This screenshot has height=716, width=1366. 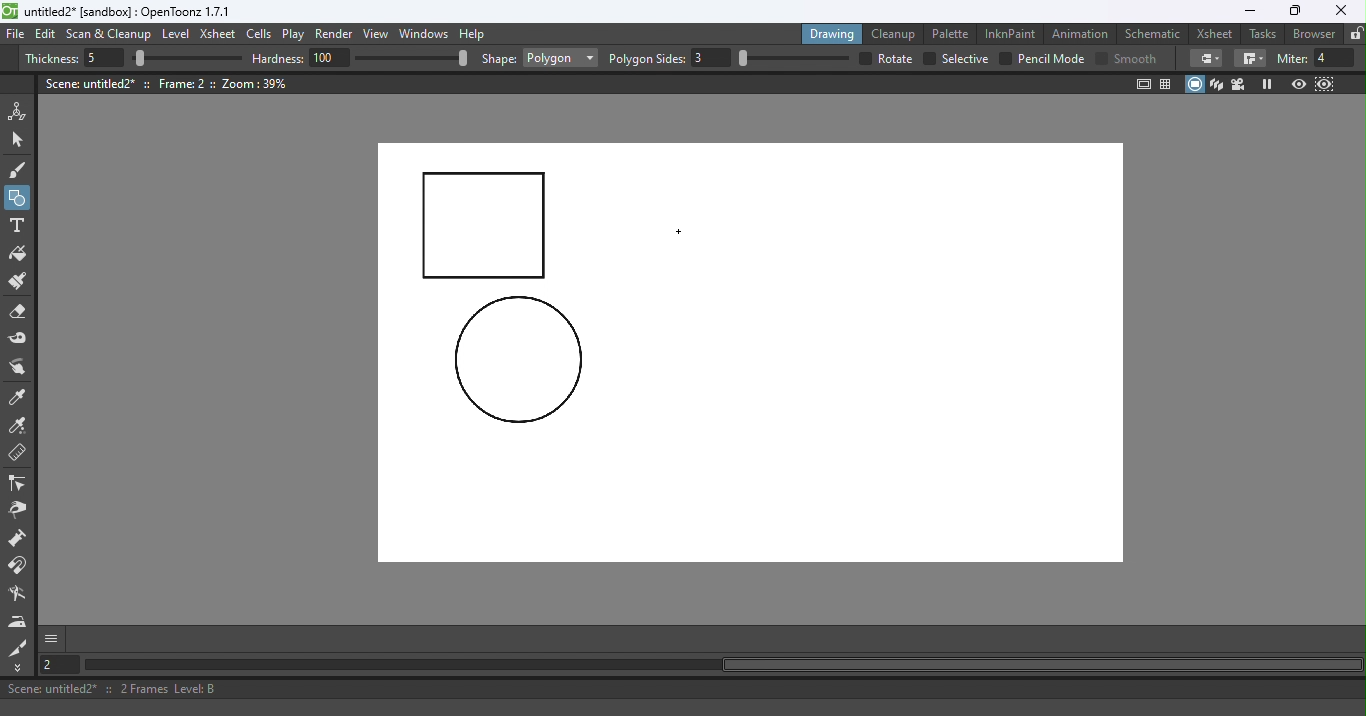 What do you see at coordinates (897, 58) in the screenshot?
I see `over all` at bounding box center [897, 58].